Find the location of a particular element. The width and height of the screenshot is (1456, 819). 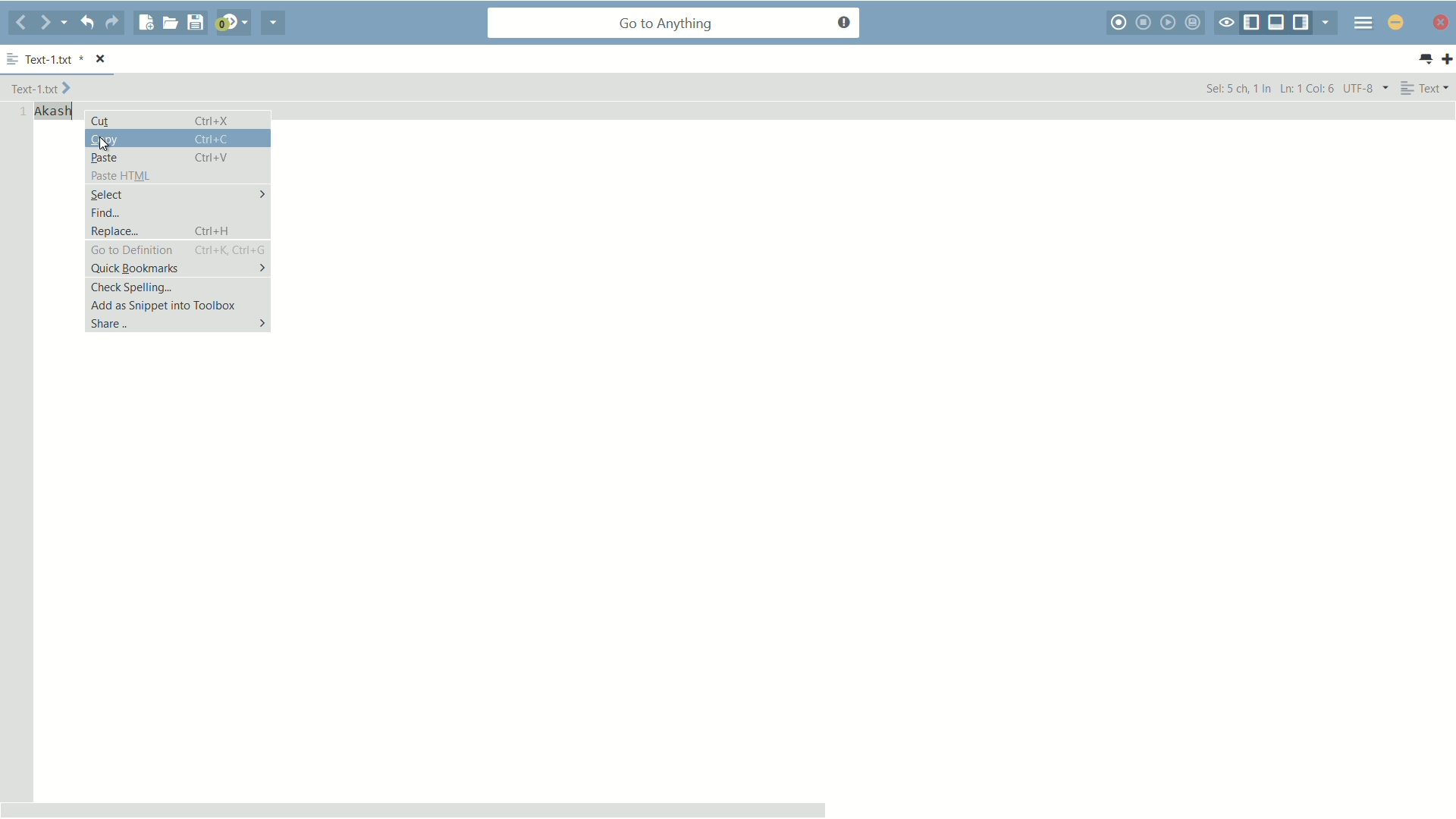

redo is located at coordinates (112, 23).